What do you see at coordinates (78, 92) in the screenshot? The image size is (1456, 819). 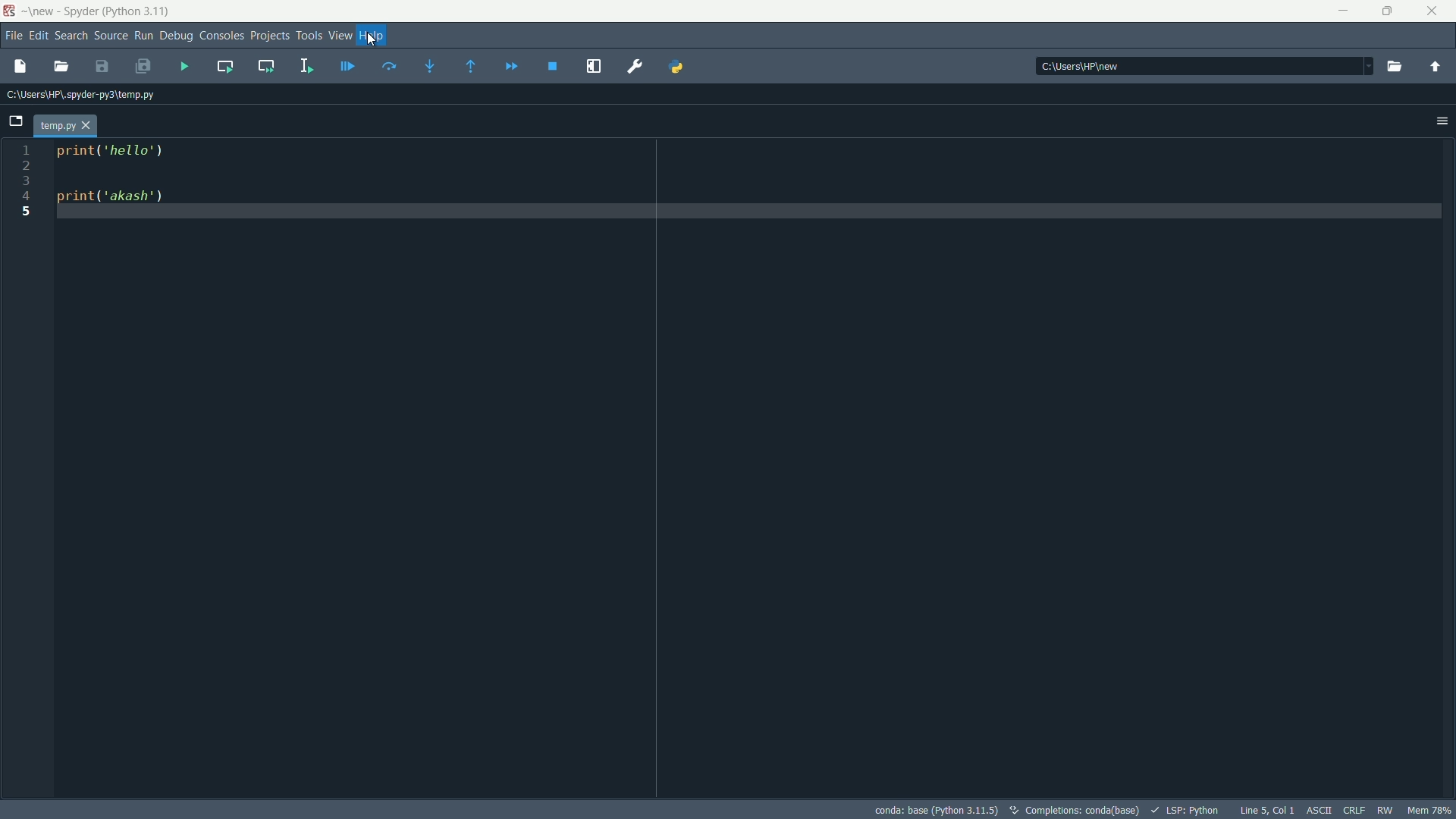 I see `current path` at bounding box center [78, 92].